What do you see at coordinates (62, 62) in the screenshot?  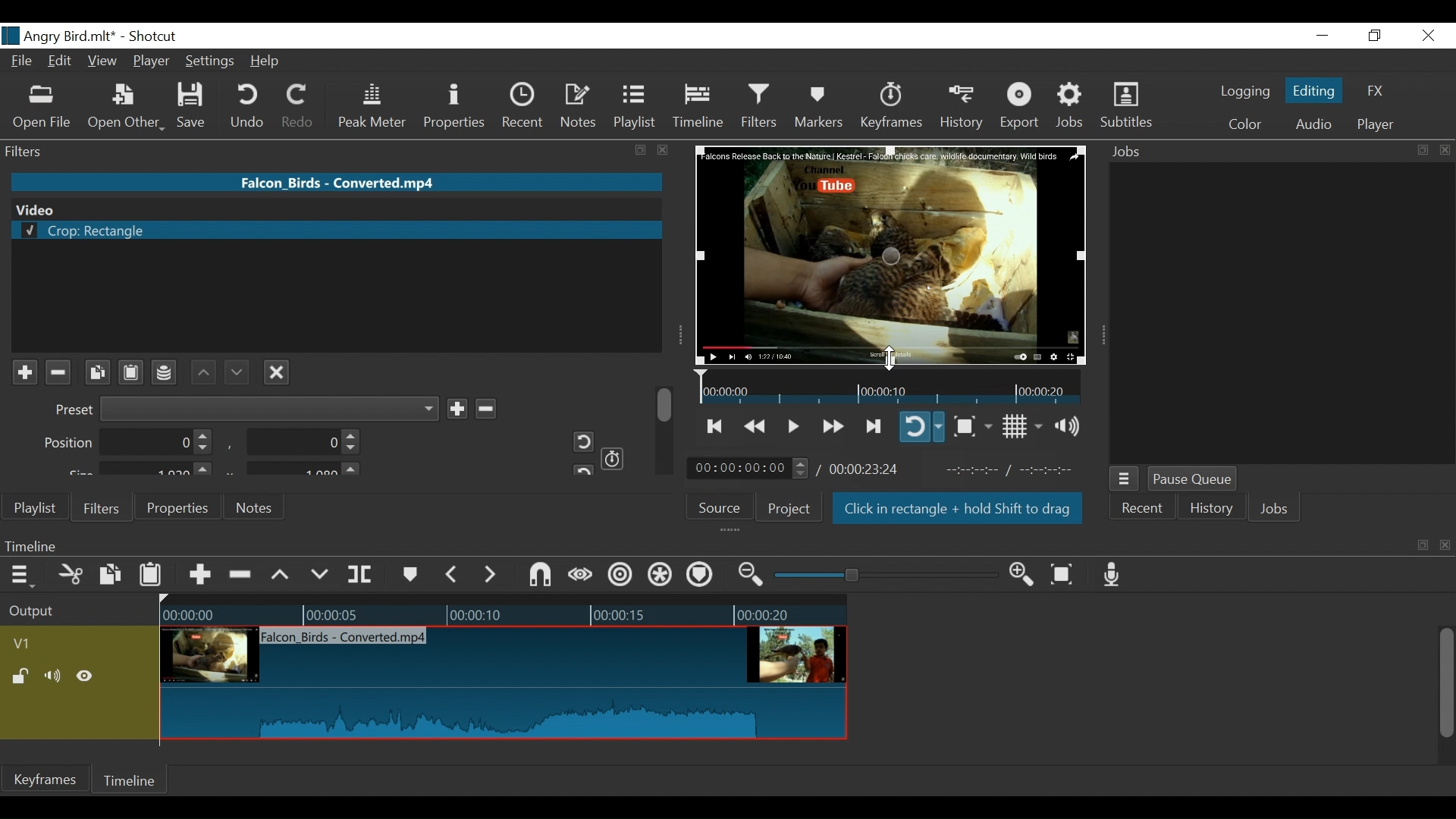 I see `Edit` at bounding box center [62, 62].